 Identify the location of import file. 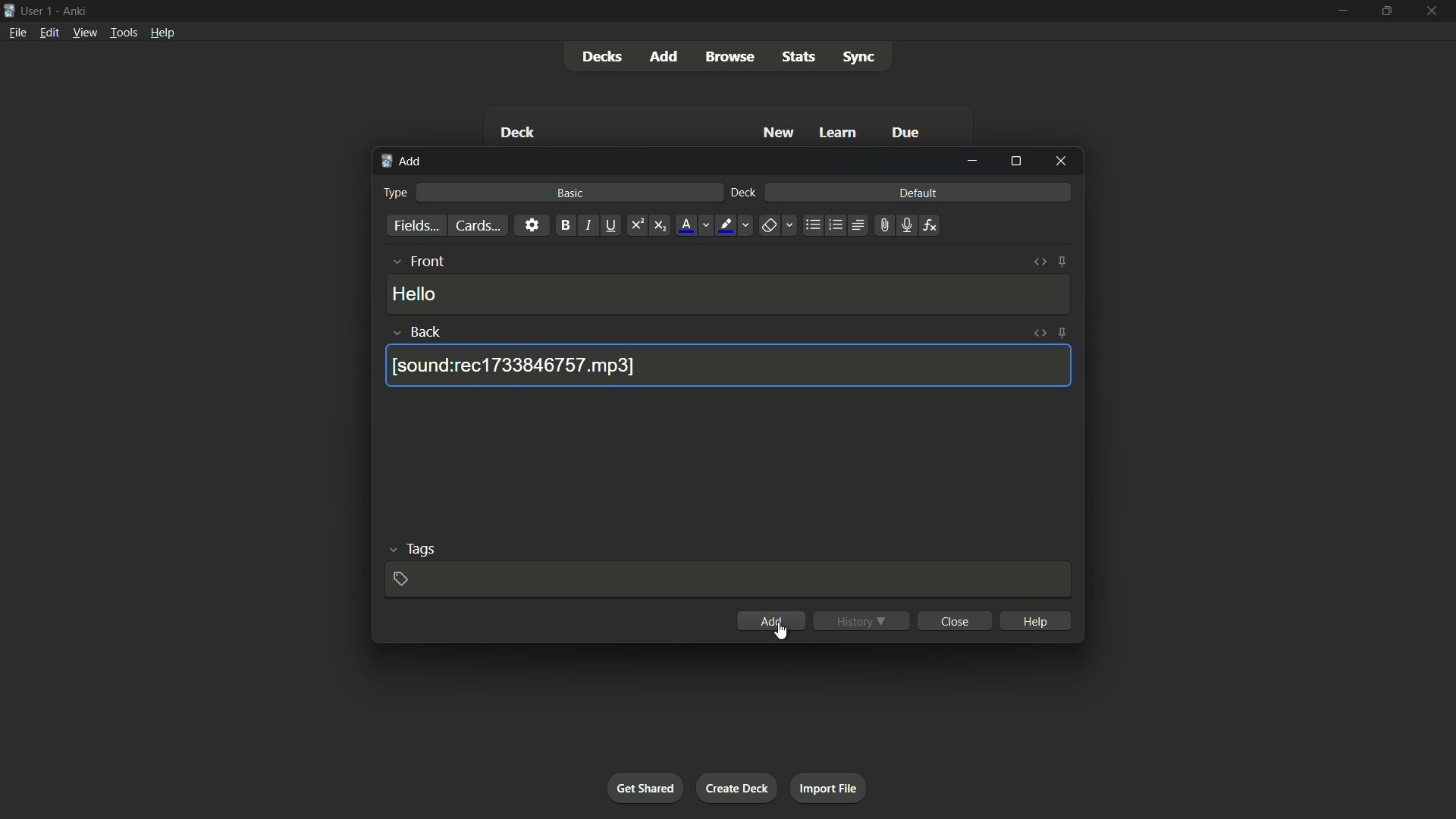
(831, 787).